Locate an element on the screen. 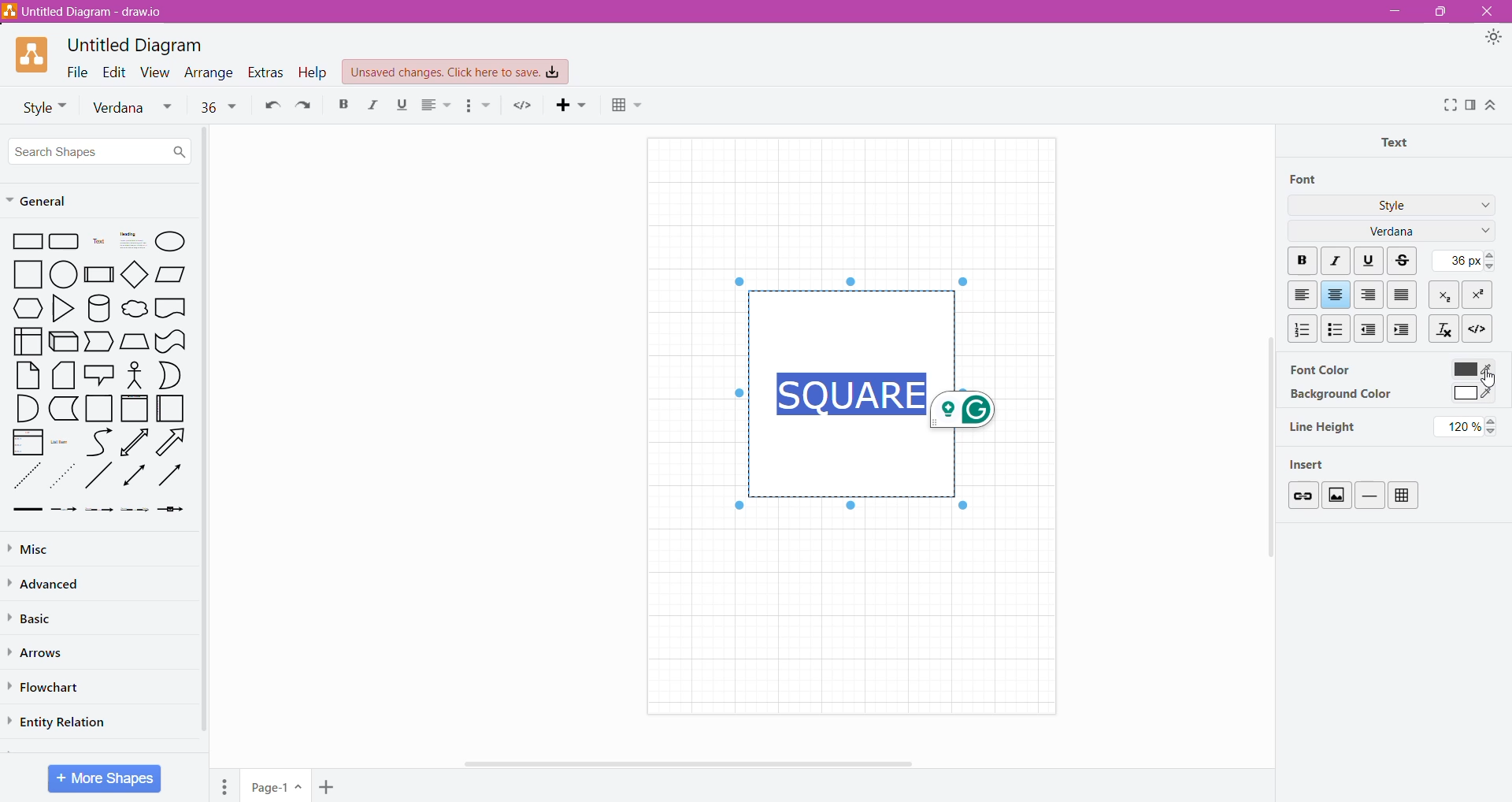  Bulleted list is located at coordinates (477, 106).